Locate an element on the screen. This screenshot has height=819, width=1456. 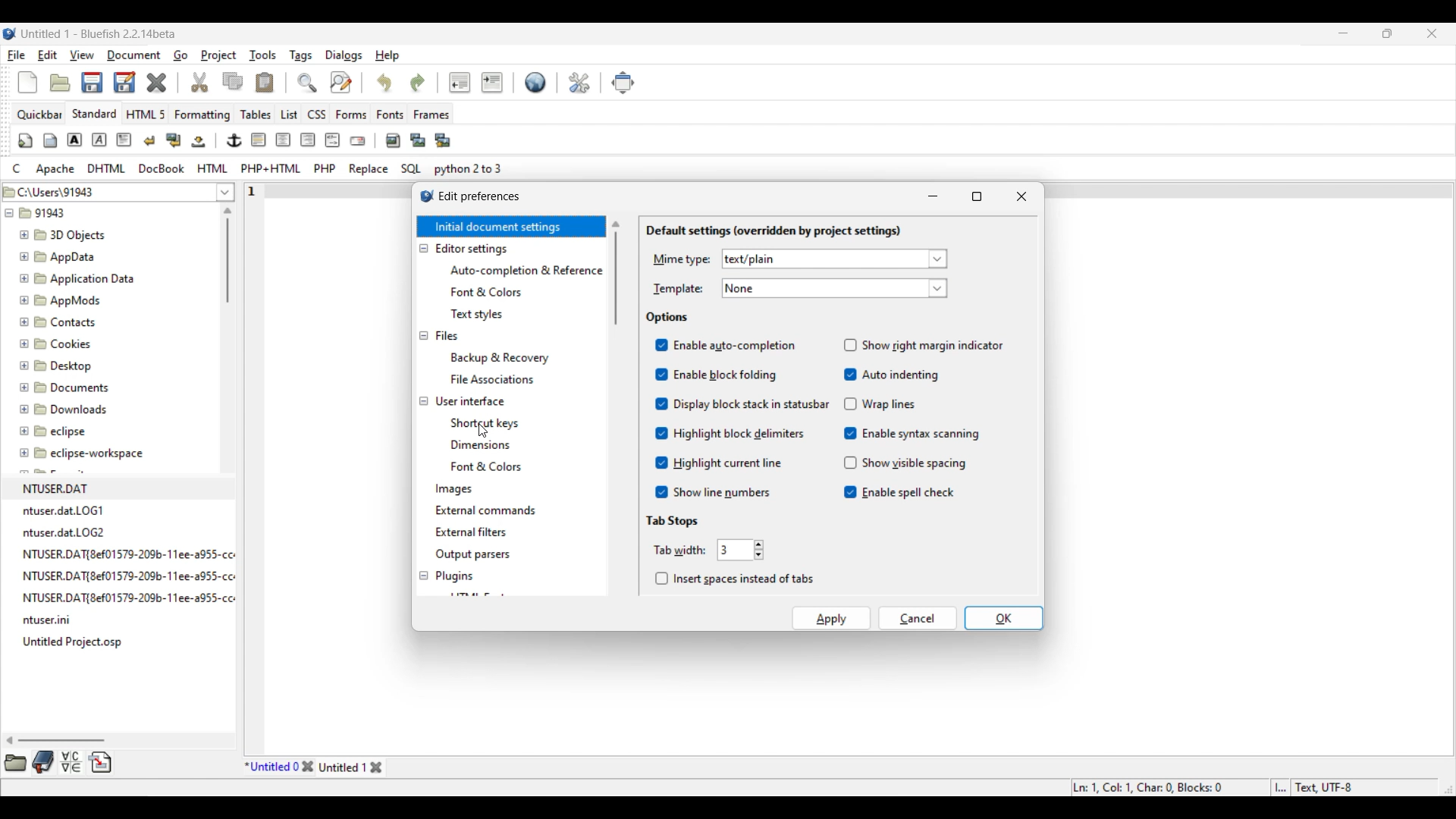
Enable syntax scanning is located at coordinates (912, 433).